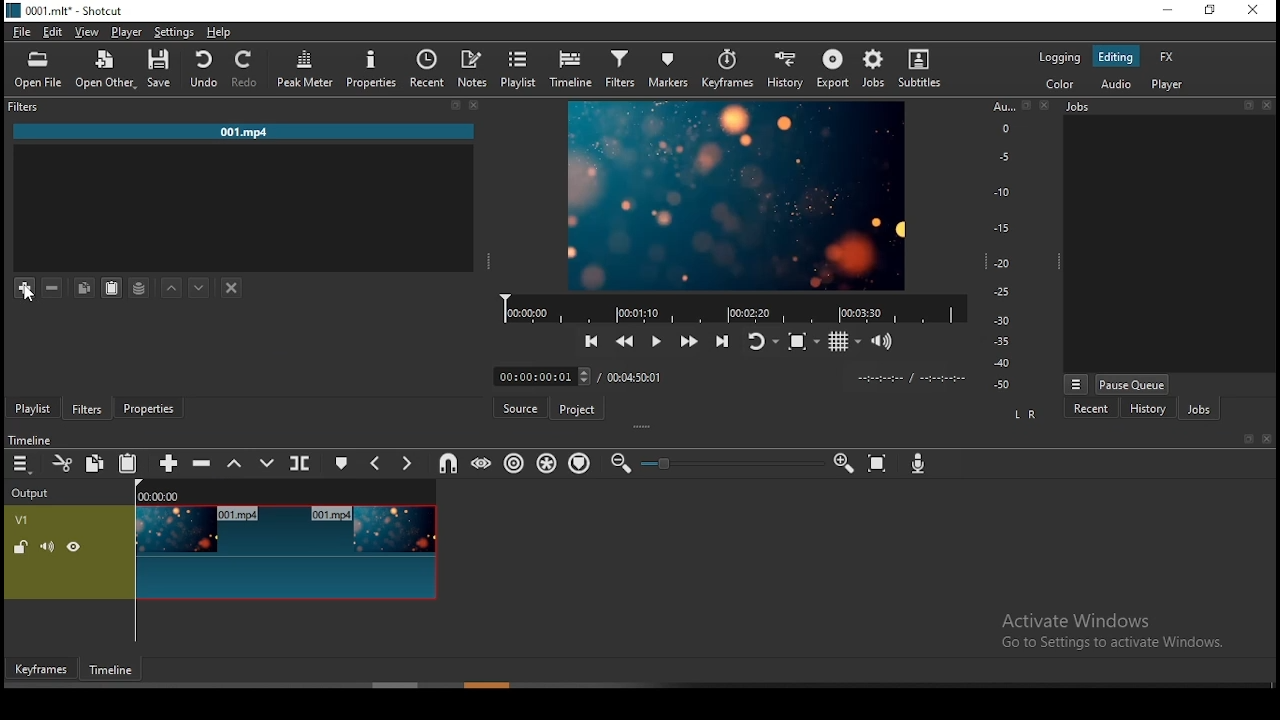 The height and width of the screenshot is (720, 1280). Describe the element at coordinates (1203, 409) in the screenshot. I see `jobs` at that location.